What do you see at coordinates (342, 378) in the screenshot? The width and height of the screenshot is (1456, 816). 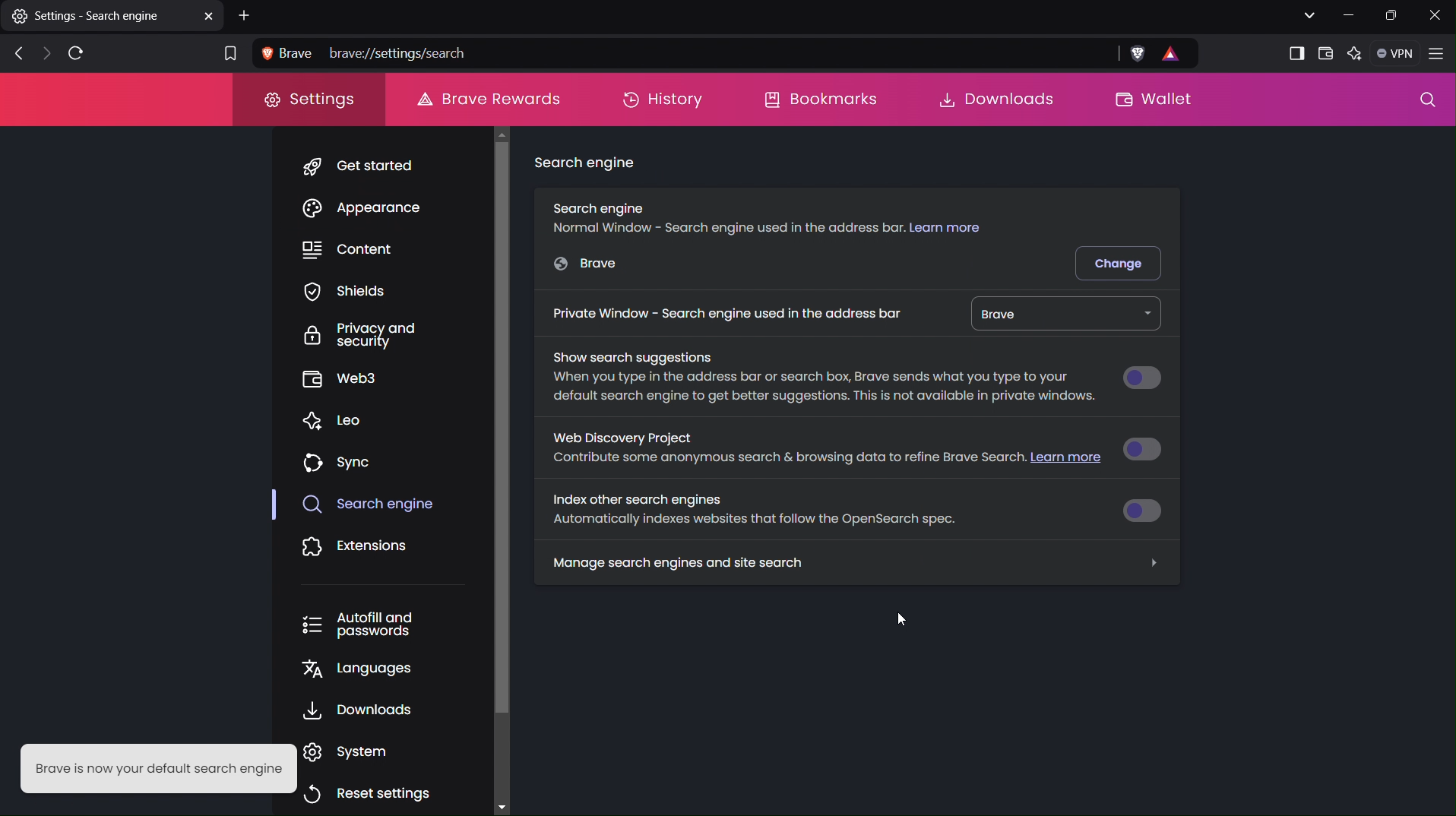 I see `Web3` at bounding box center [342, 378].